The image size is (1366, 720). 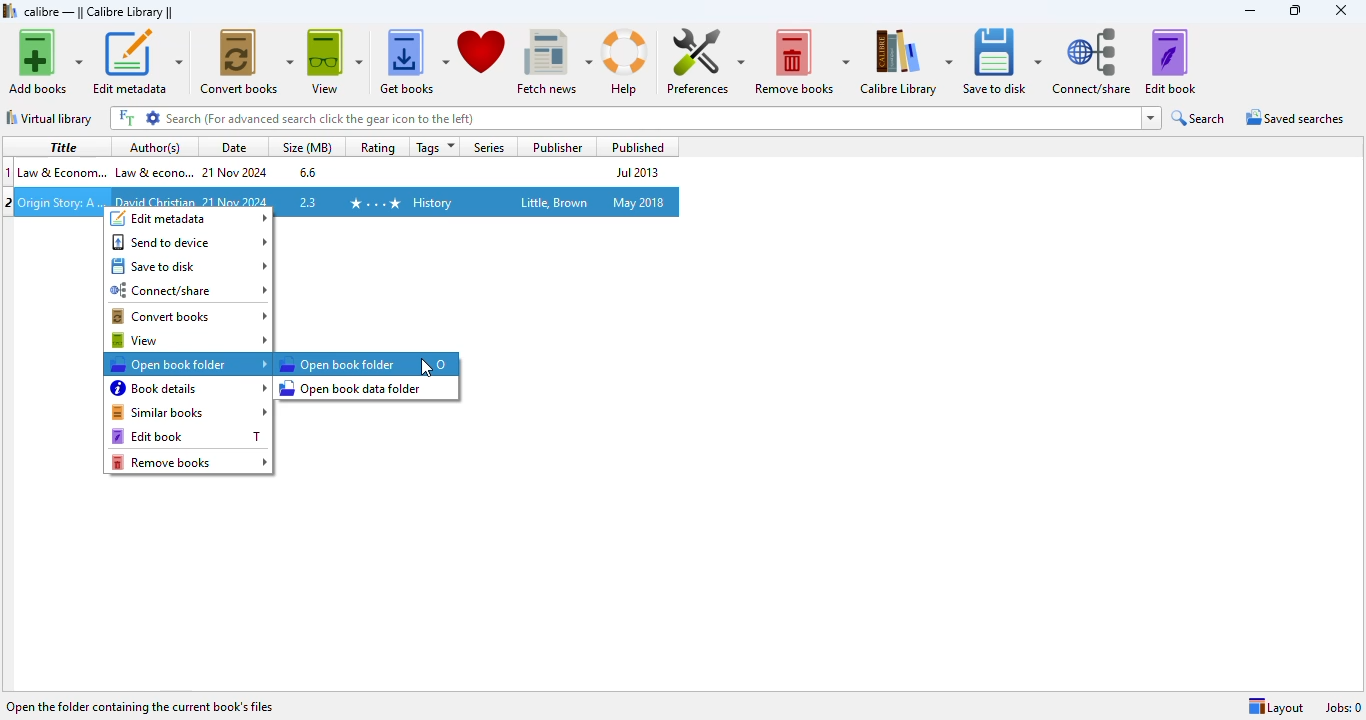 I want to click on jobs: 0, so click(x=1344, y=707).